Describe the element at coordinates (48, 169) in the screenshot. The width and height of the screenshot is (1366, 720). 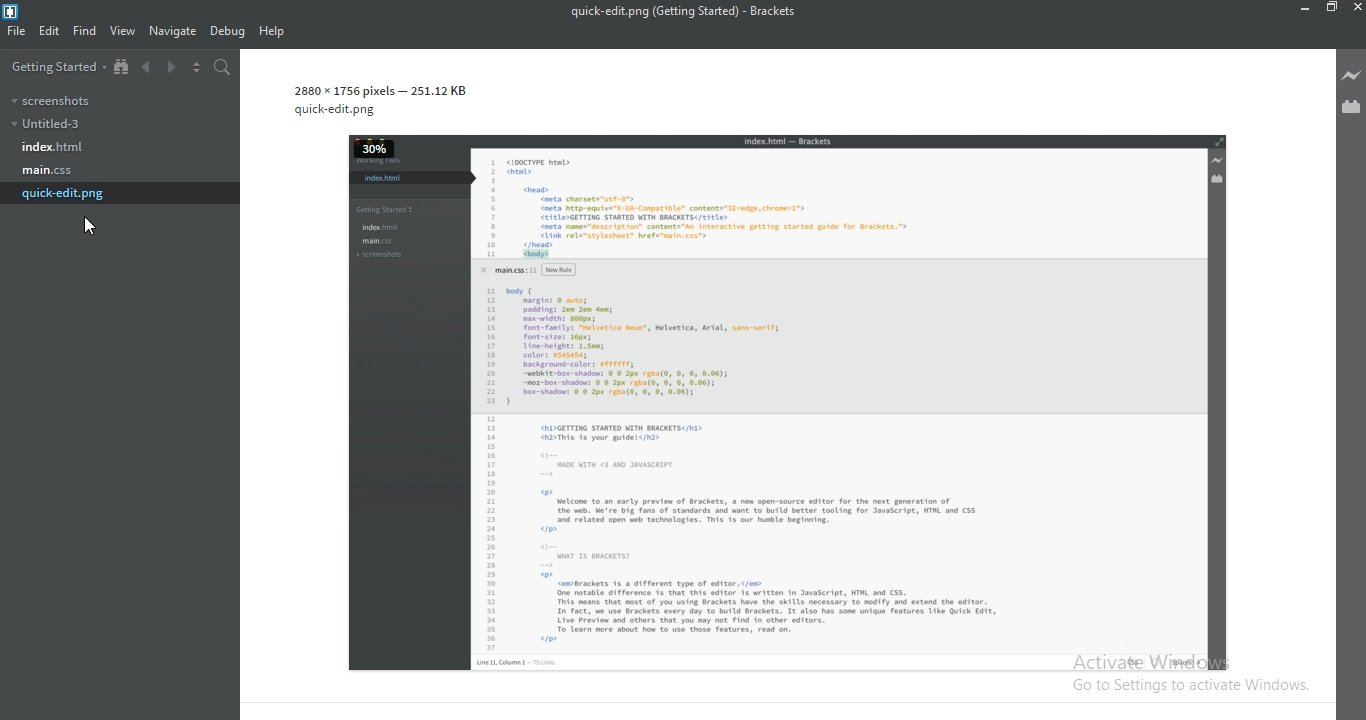
I see `main.css` at that location.